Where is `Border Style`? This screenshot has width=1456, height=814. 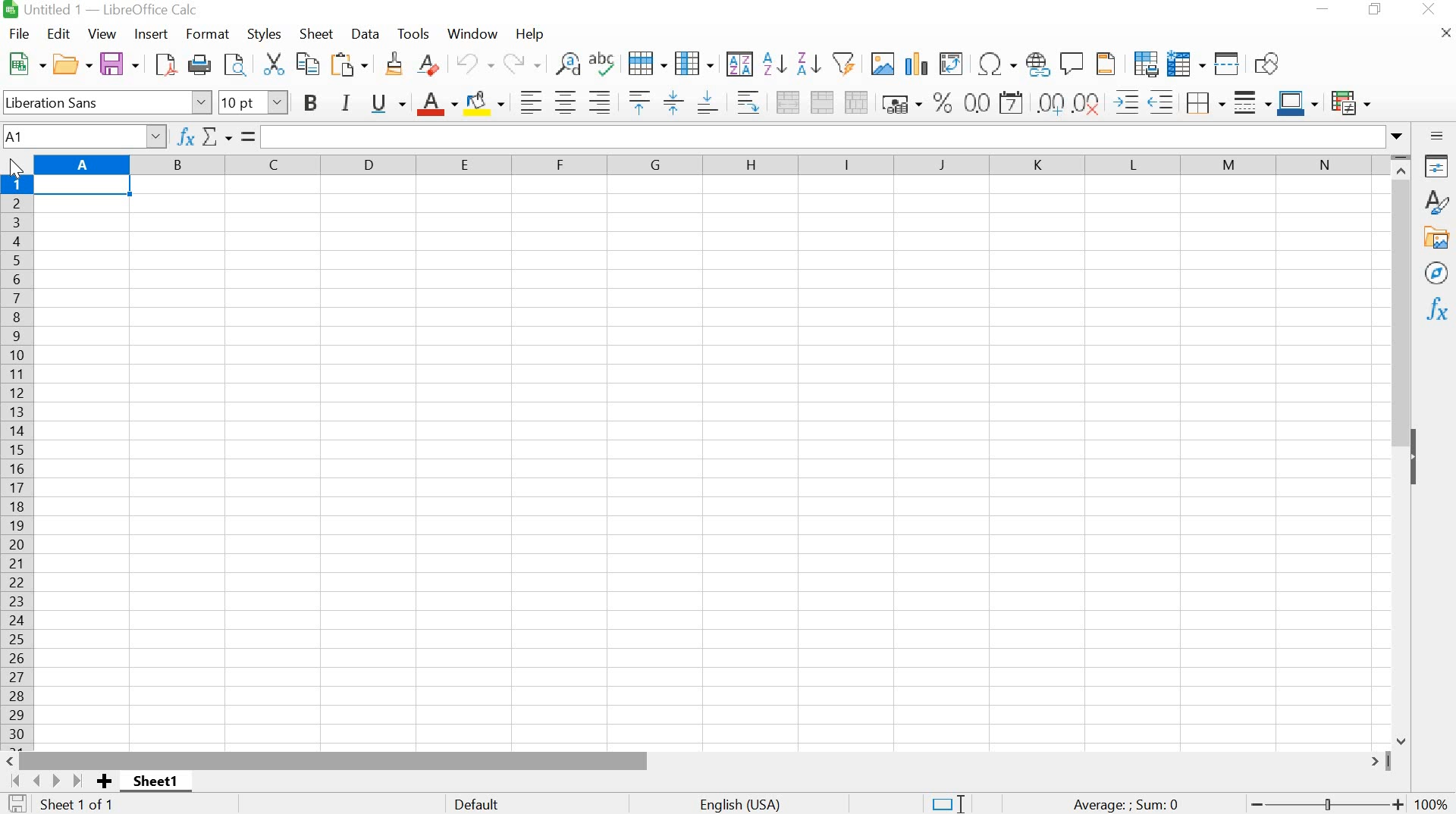 Border Style is located at coordinates (1252, 103).